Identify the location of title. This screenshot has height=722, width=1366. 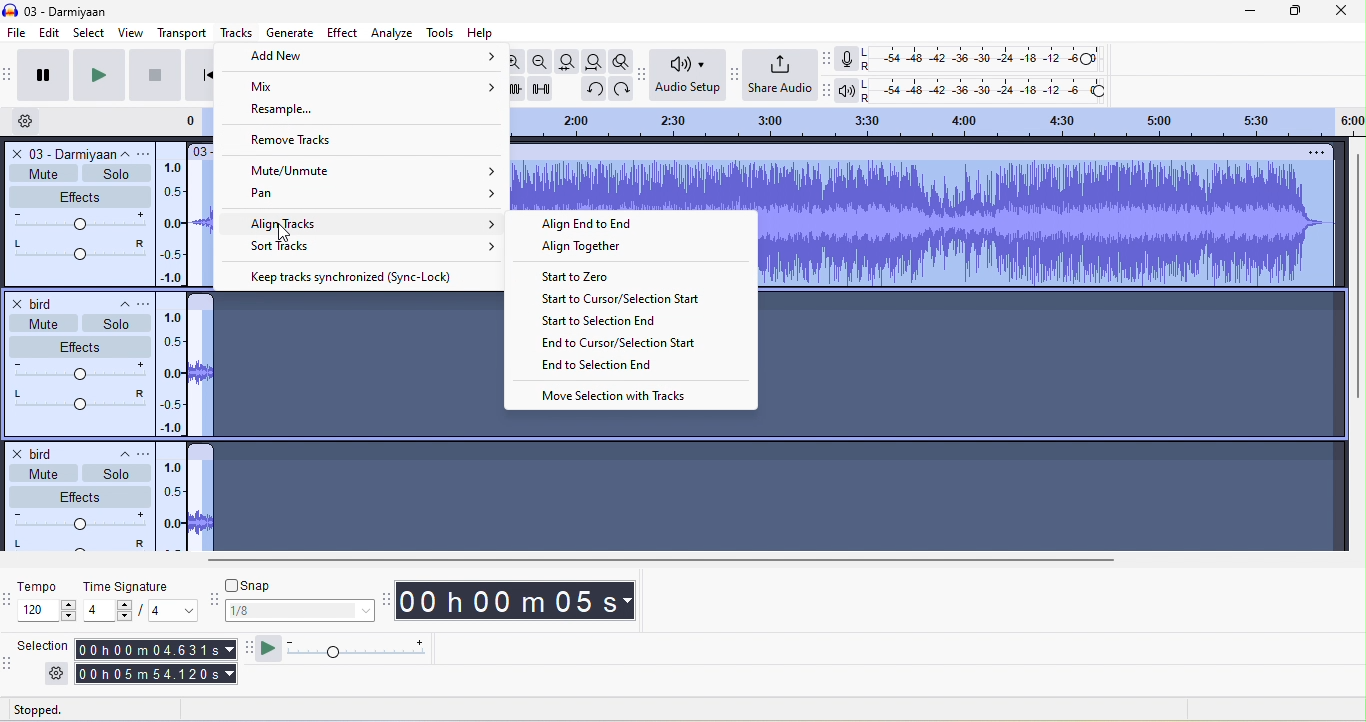
(65, 9).